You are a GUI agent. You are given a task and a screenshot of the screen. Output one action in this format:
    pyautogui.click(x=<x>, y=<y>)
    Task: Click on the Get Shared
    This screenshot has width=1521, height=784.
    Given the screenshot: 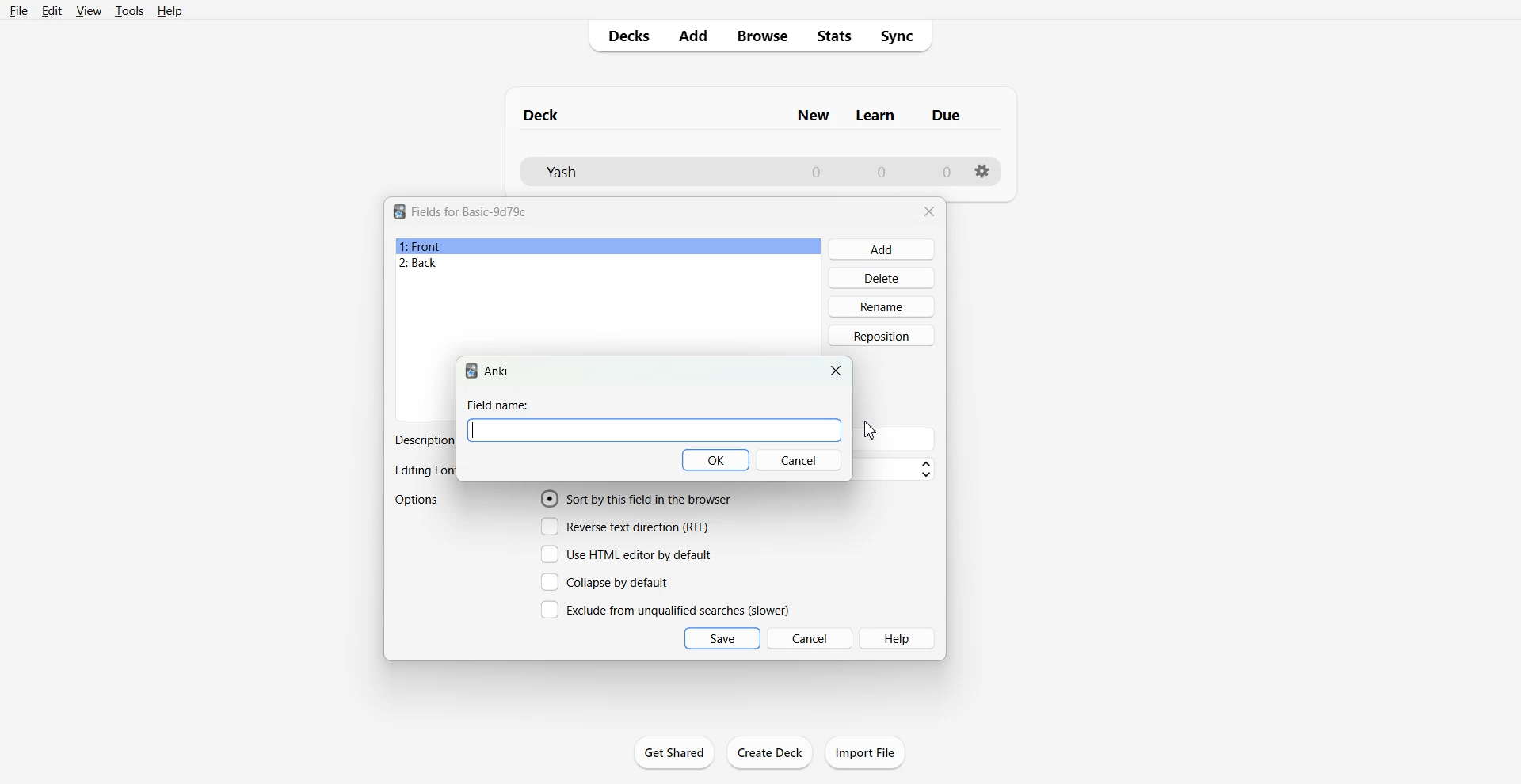 What is the action you would take?
    pyautogui.click(x=674, y=752)
    